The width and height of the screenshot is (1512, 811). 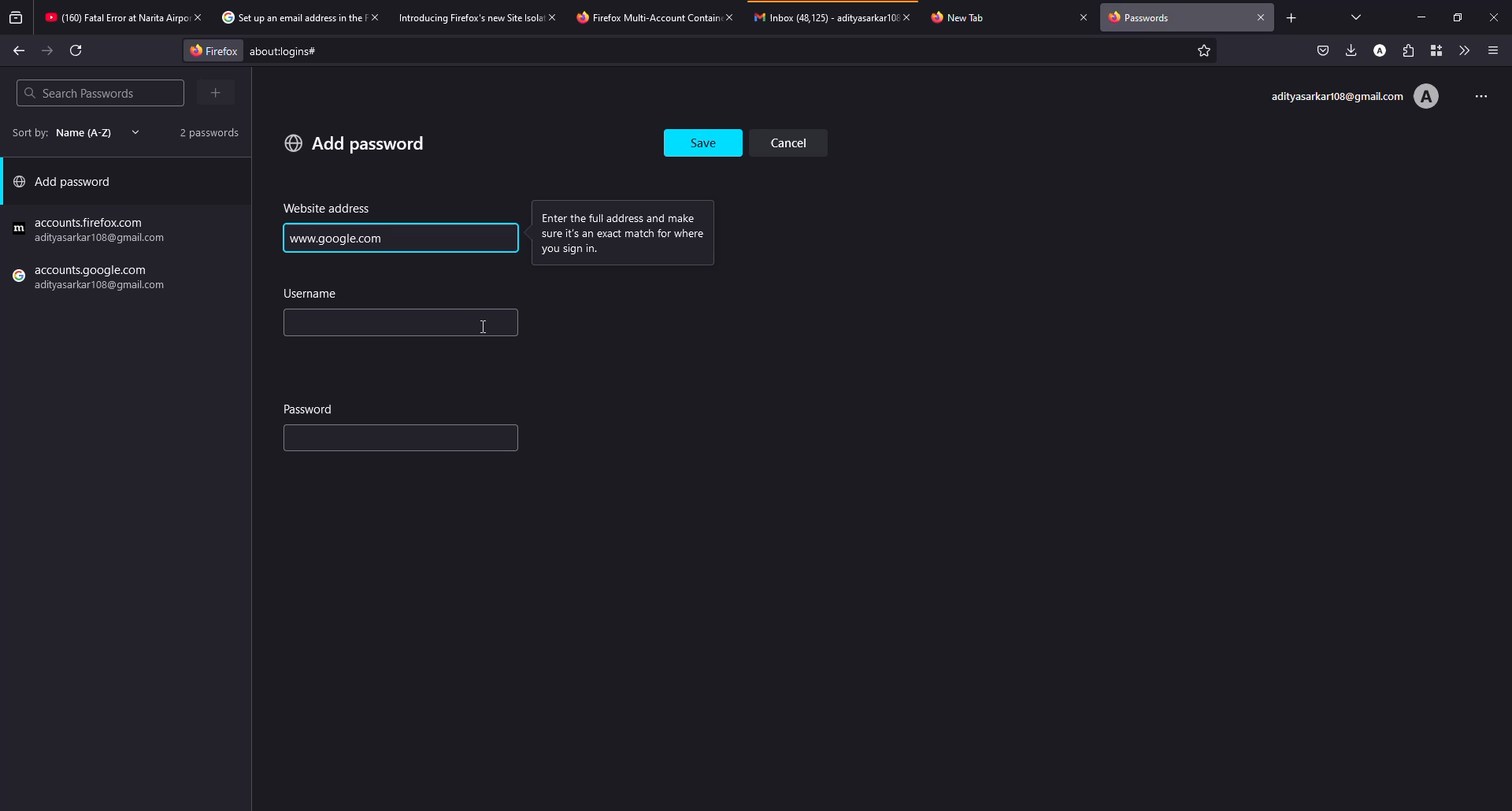 What do you see at coordinates (68, 185) in the screenshot?
I see `add password` at bounding box center [68, 185].